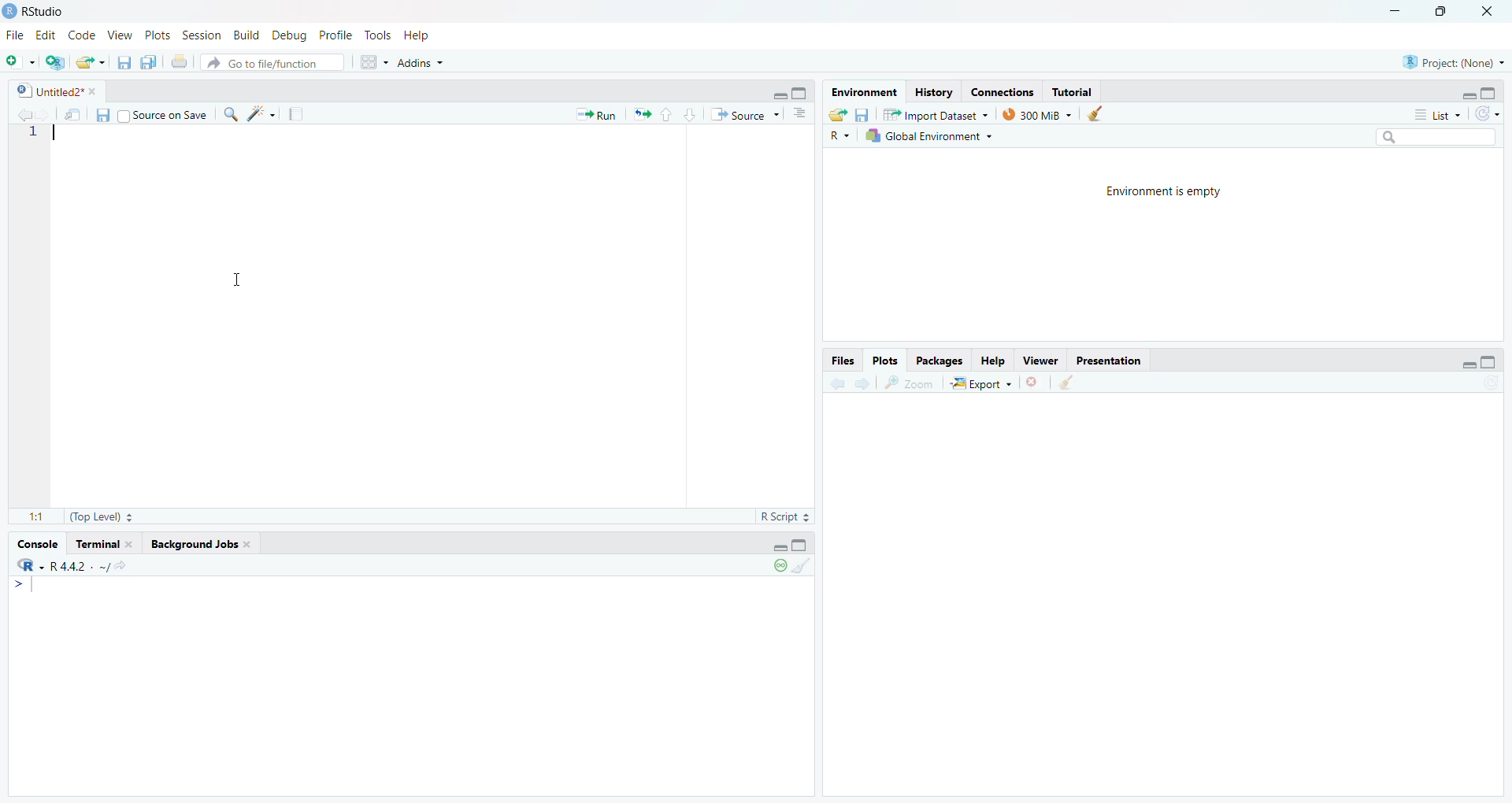 This screenshot has width=1512, height=803. What do you see at coordinates (35, 12) in the screenshot?
I see ` Rstudio` at bounding box center [35, 12].